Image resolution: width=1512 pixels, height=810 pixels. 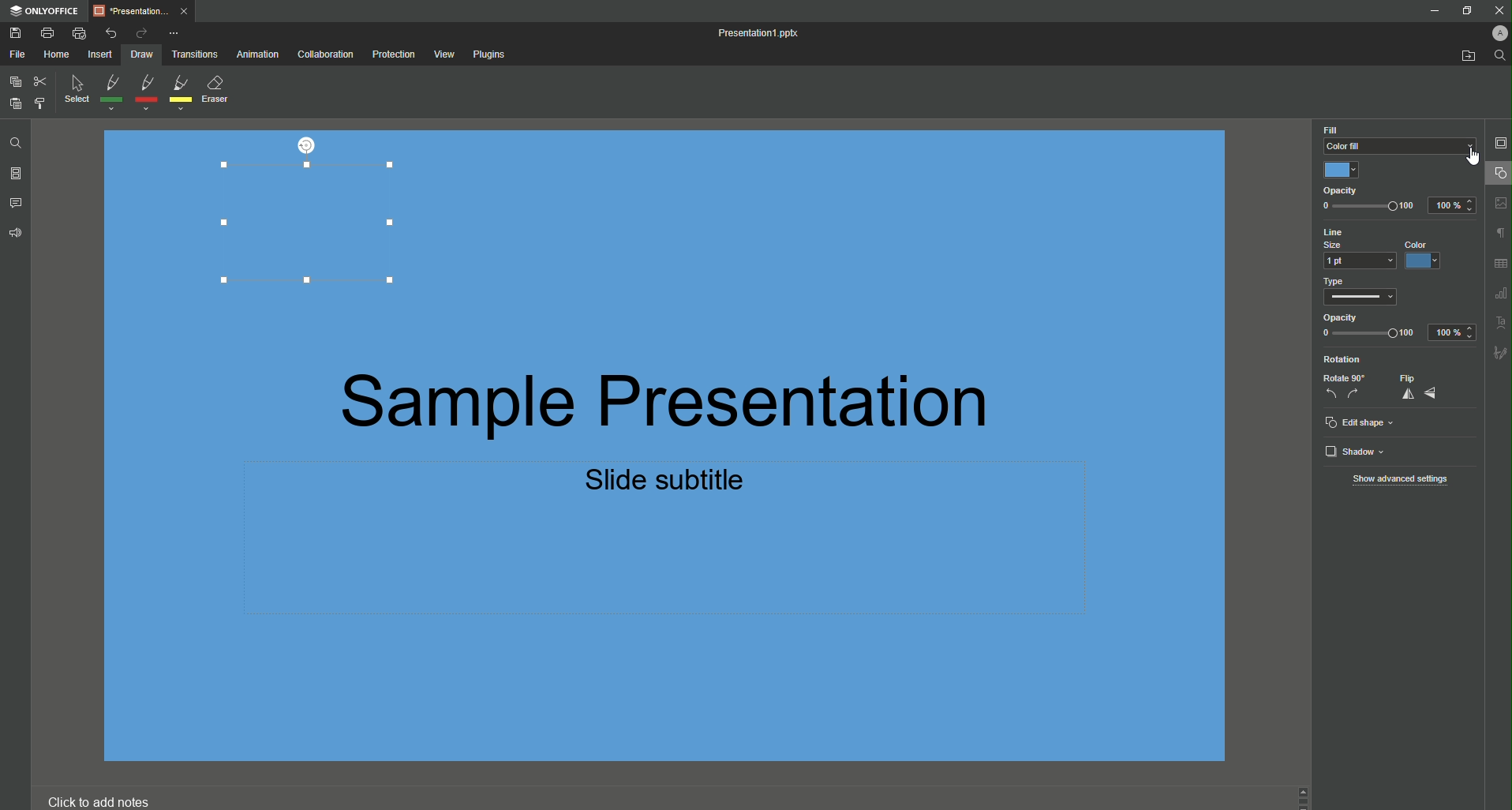 What do you see at coordinates (1343, 361) in the screenshot?
I see `Rotation` at bounding box center [1343, 361].